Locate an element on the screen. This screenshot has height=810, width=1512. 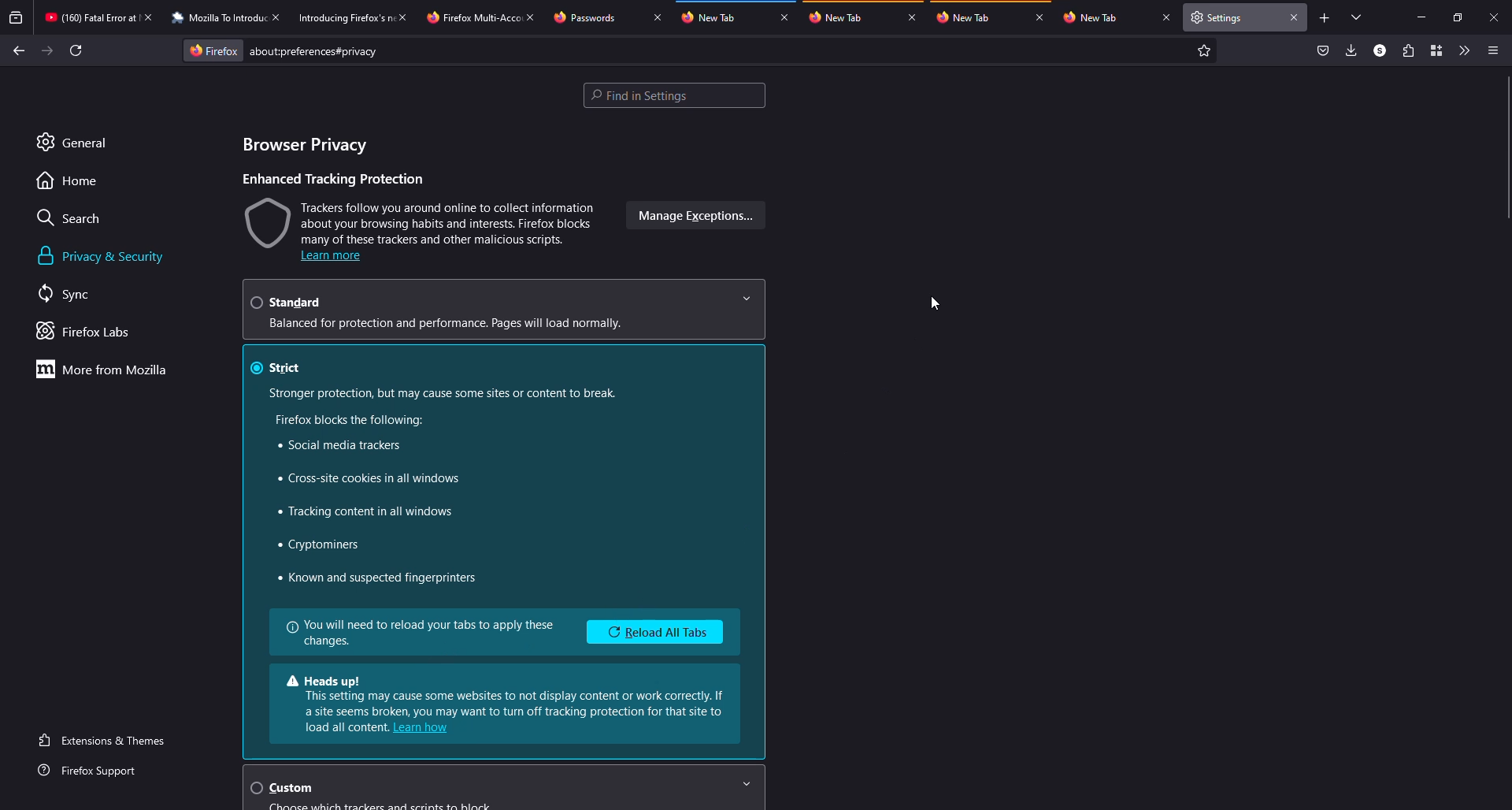
info is located at coordinates (422, 220).